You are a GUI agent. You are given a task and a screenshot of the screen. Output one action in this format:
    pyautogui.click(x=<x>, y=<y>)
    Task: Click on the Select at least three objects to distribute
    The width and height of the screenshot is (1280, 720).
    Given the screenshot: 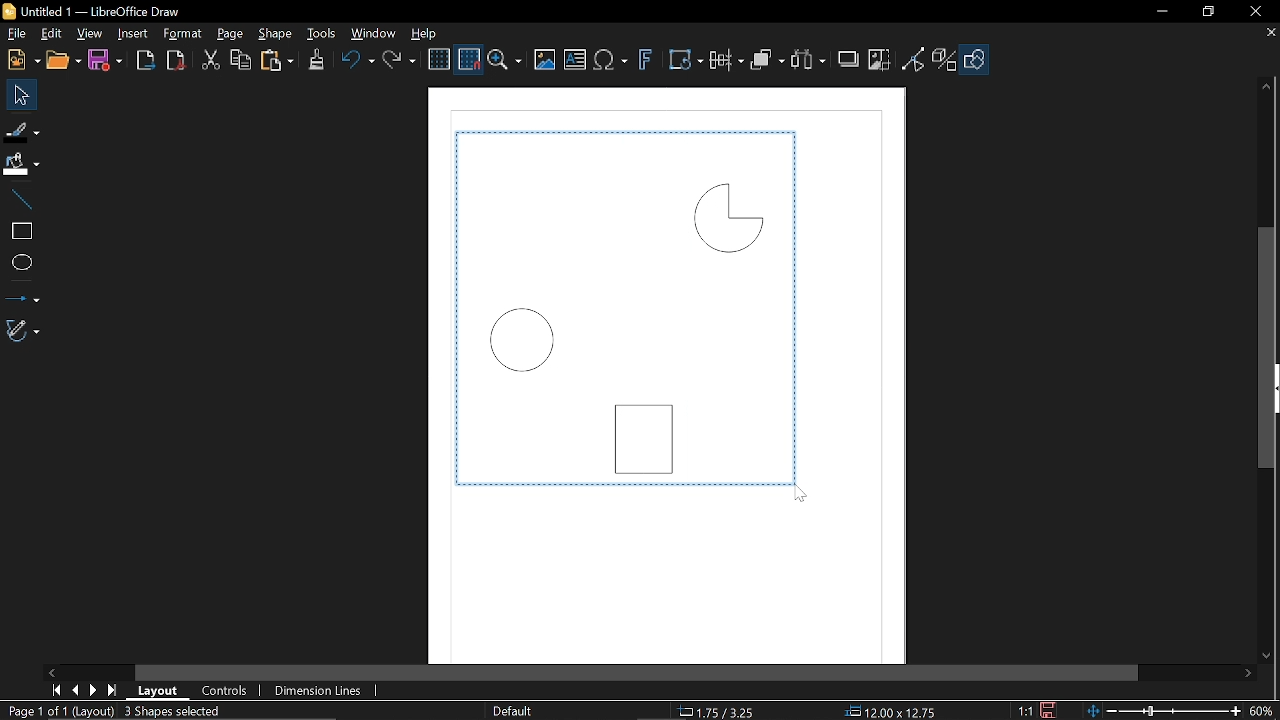 What is the action you would take?
    pyautogui.click(x=810, y=60)
    